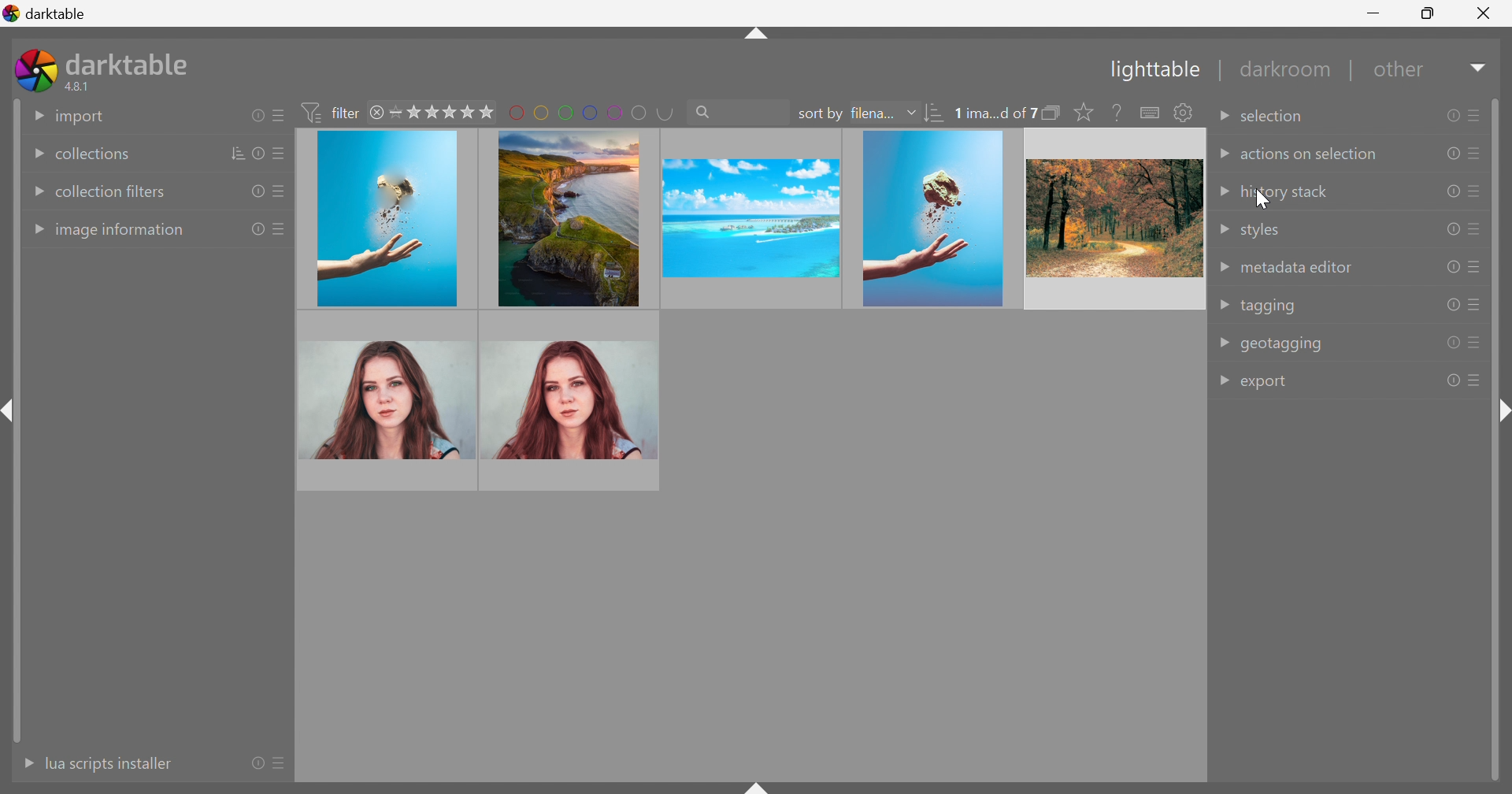 The image size is (1512, 794). I want to click on show global preference, so click(1182, 112).